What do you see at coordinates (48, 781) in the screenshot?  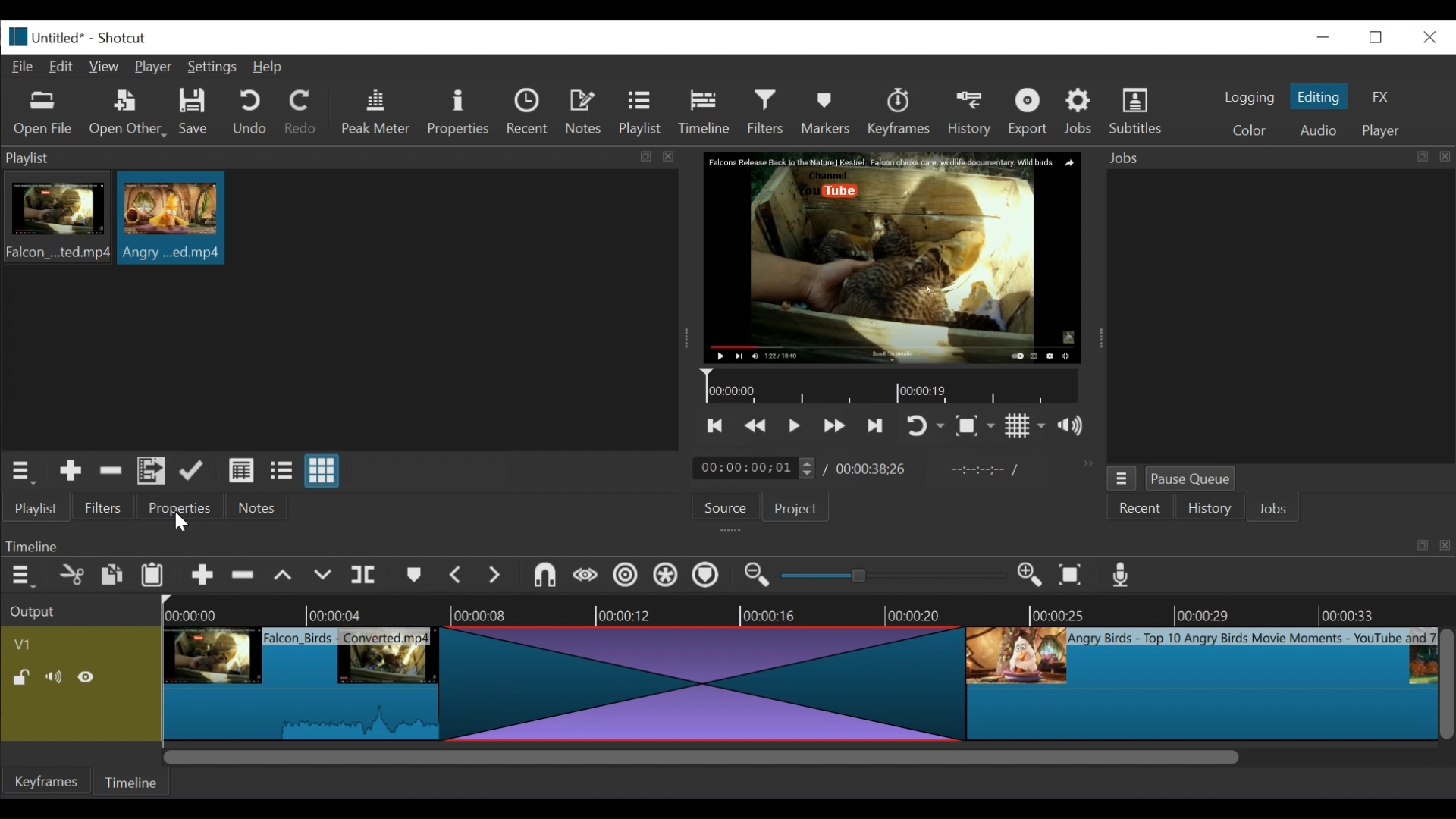 I see `Keyframes` at bounding box center [48, 781].